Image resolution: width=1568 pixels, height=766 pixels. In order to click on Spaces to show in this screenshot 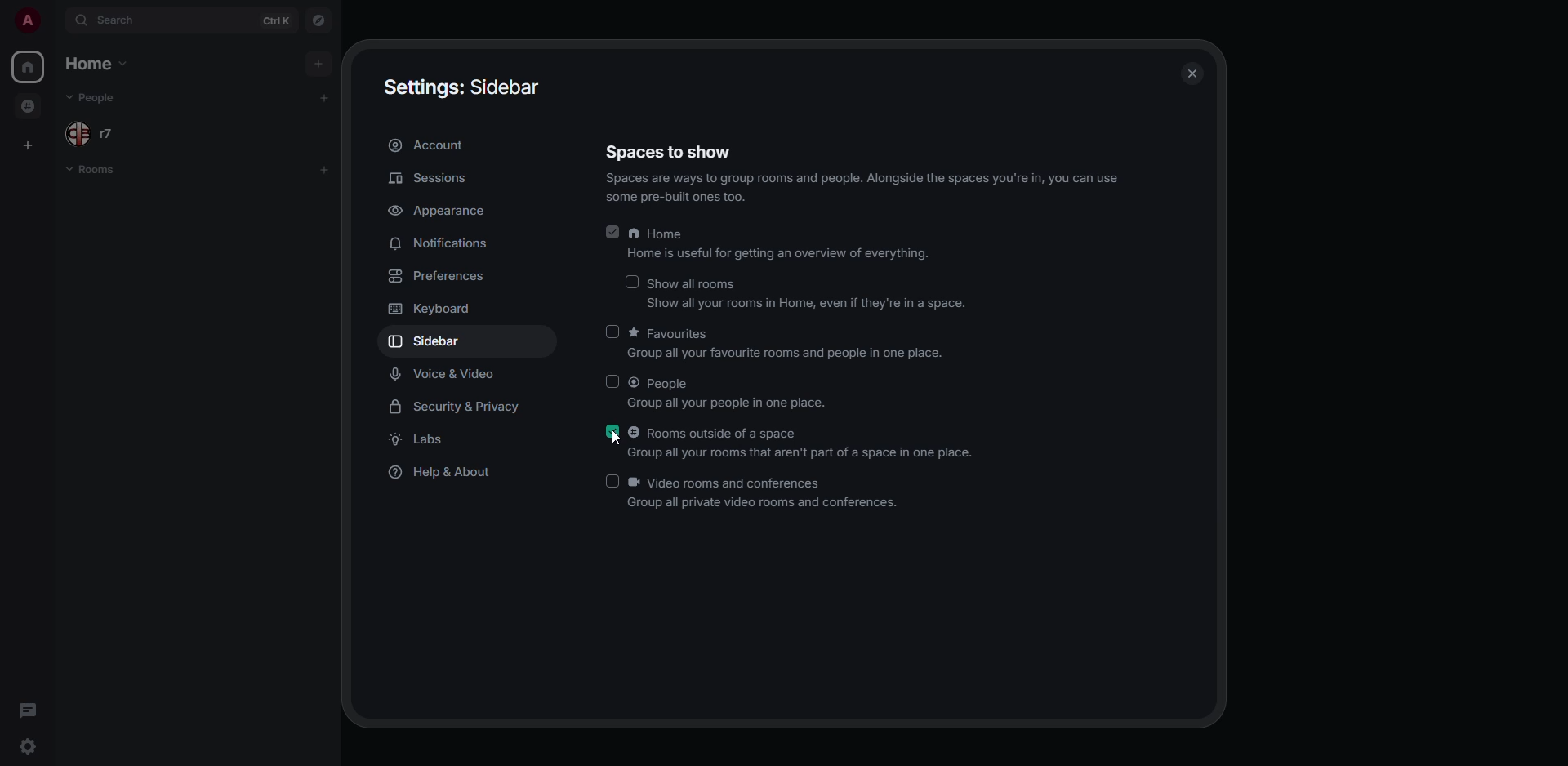, I will do `click(667, 152)`.